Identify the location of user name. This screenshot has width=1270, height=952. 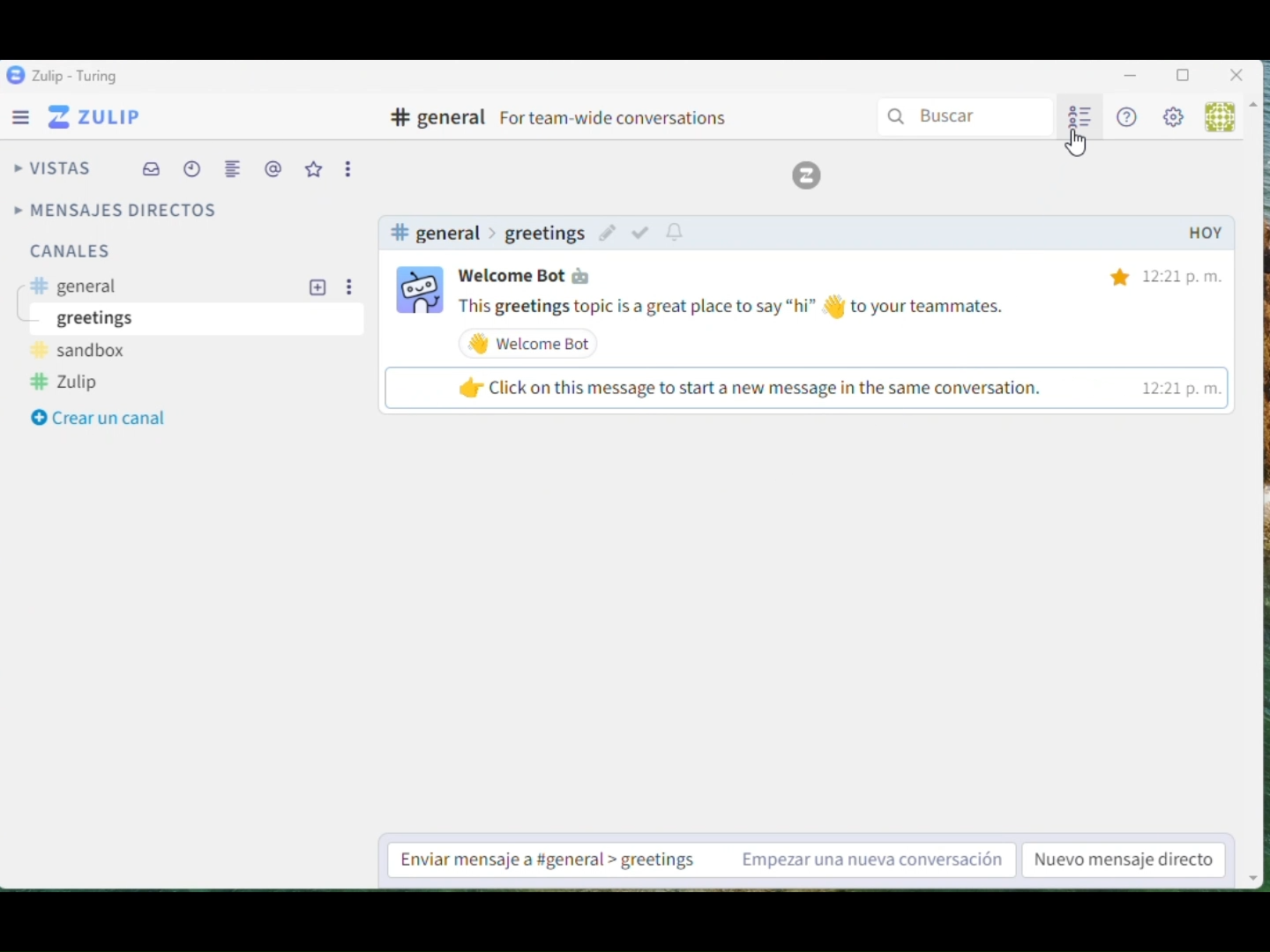
(527, 275).